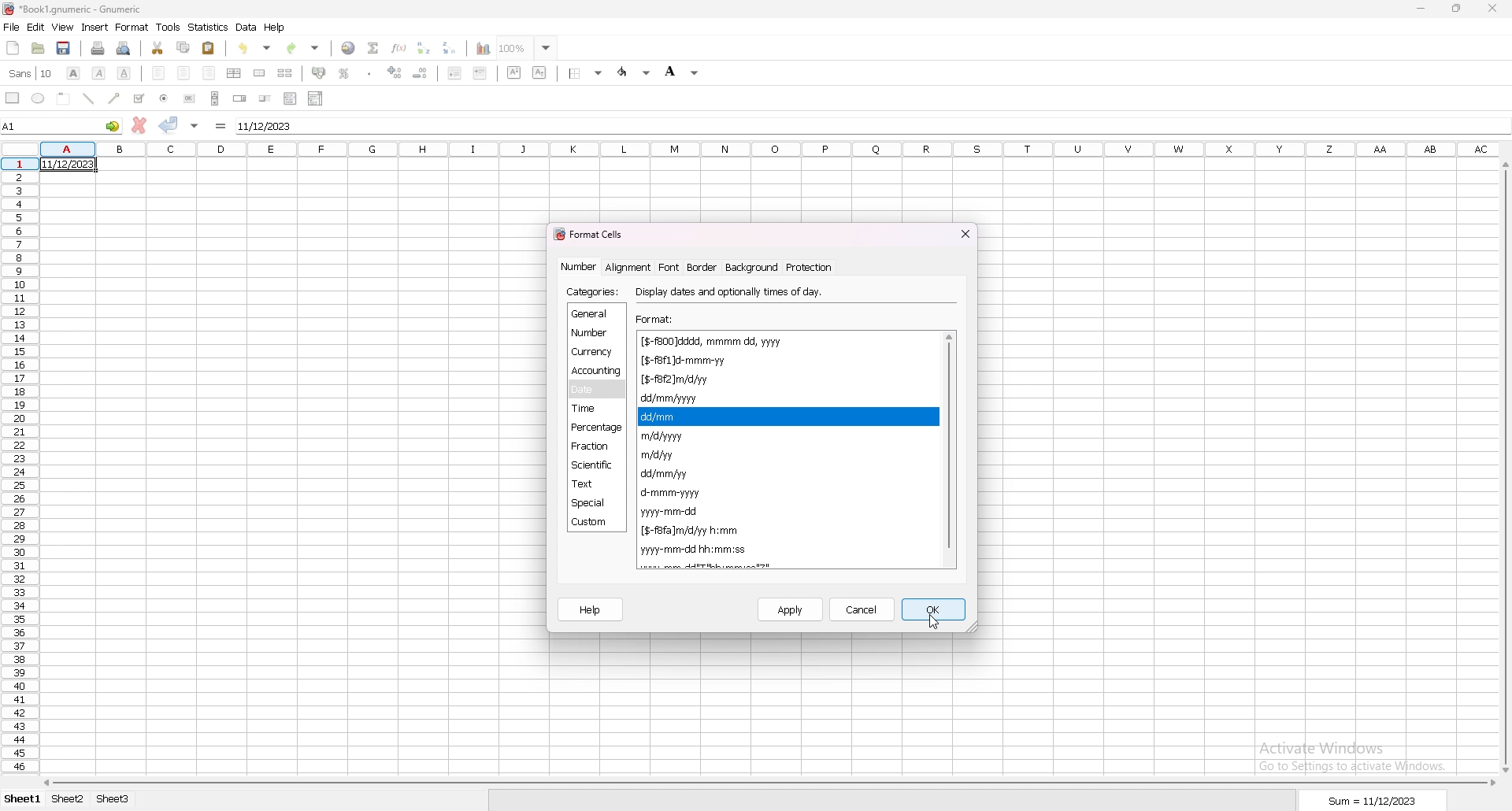 The height and width of the screenshot is (811, 1512). Describe the element at coordinates (209, 73) in the screenshot. I see `right align` at that location.